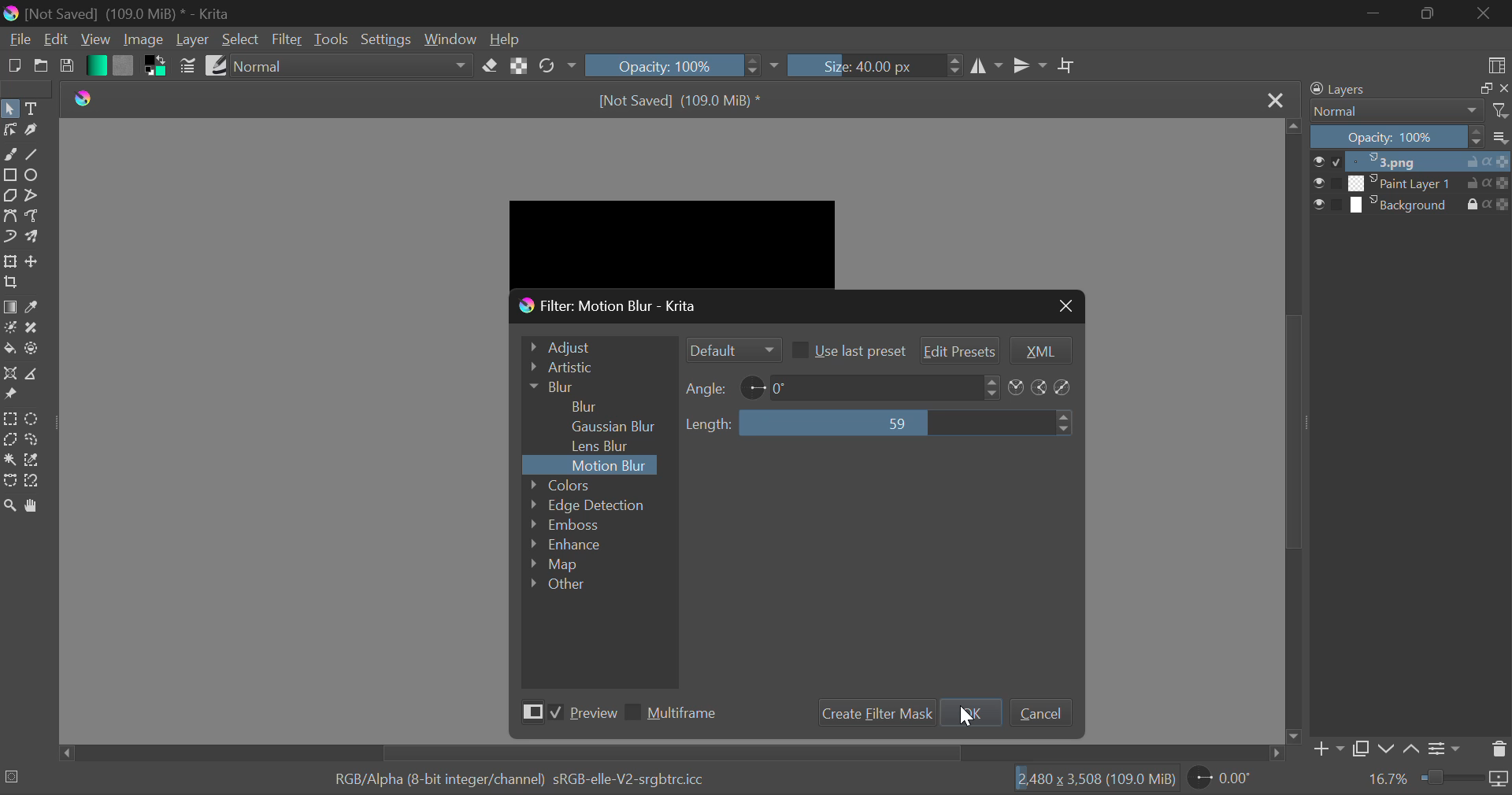  What do you see at coordinates (1498, 749) in the screenshot?
I see `Delete Layer` at bounding box center [1498, 749].